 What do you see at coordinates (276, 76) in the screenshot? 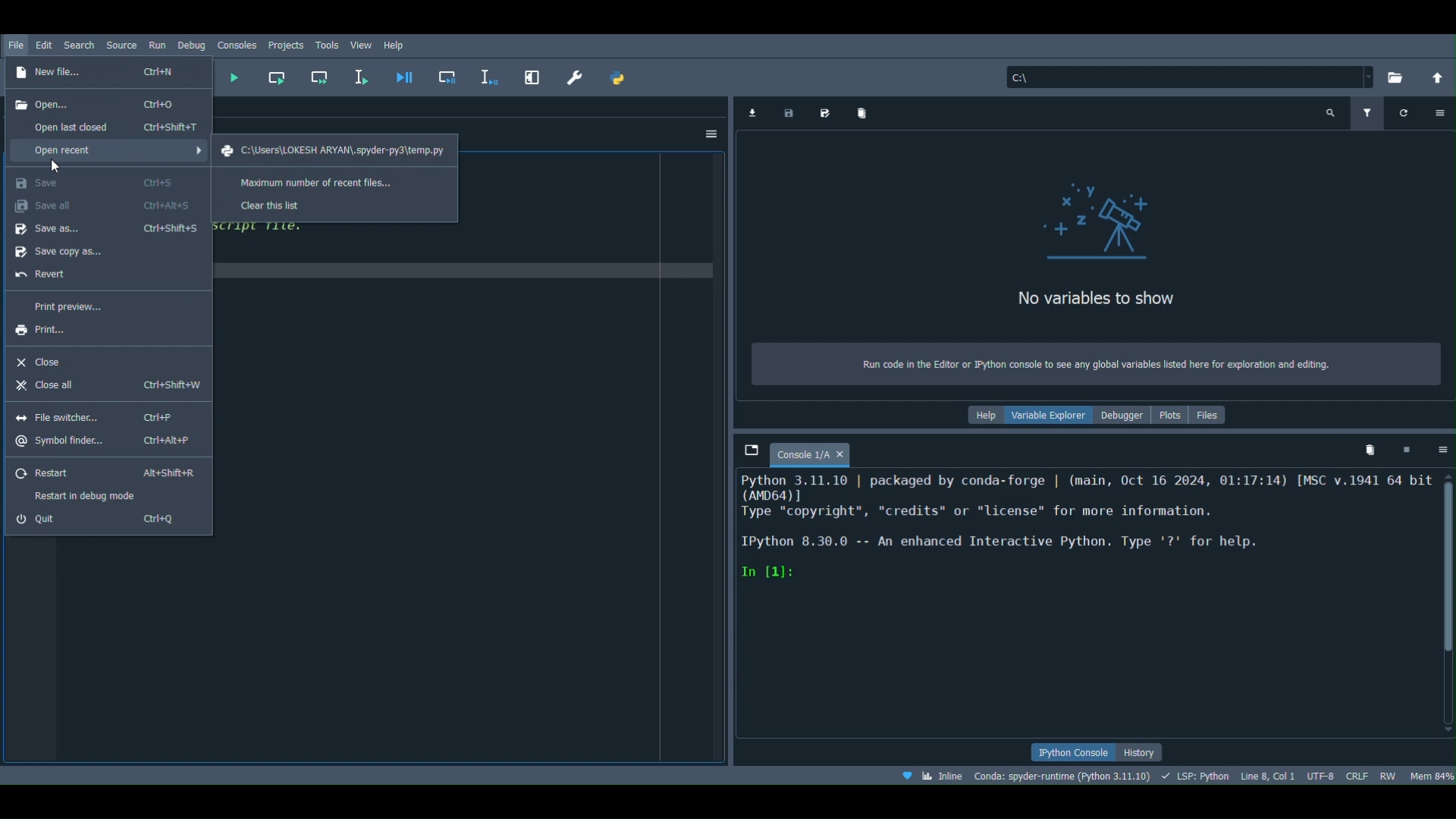
I see `Run current cell (Ctrl + Return)` at bounding box center [276, 76].